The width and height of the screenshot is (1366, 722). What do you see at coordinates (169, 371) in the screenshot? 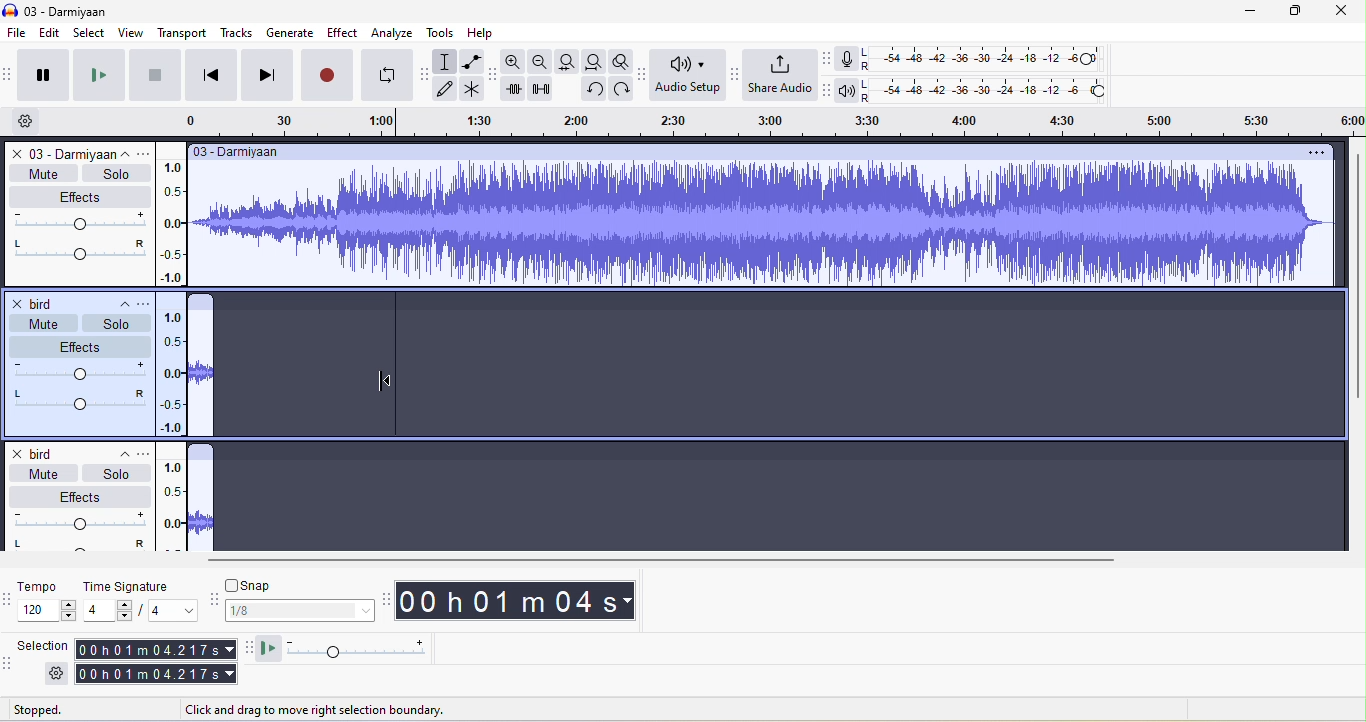
I see `linear` at bounding box center [169, 371].